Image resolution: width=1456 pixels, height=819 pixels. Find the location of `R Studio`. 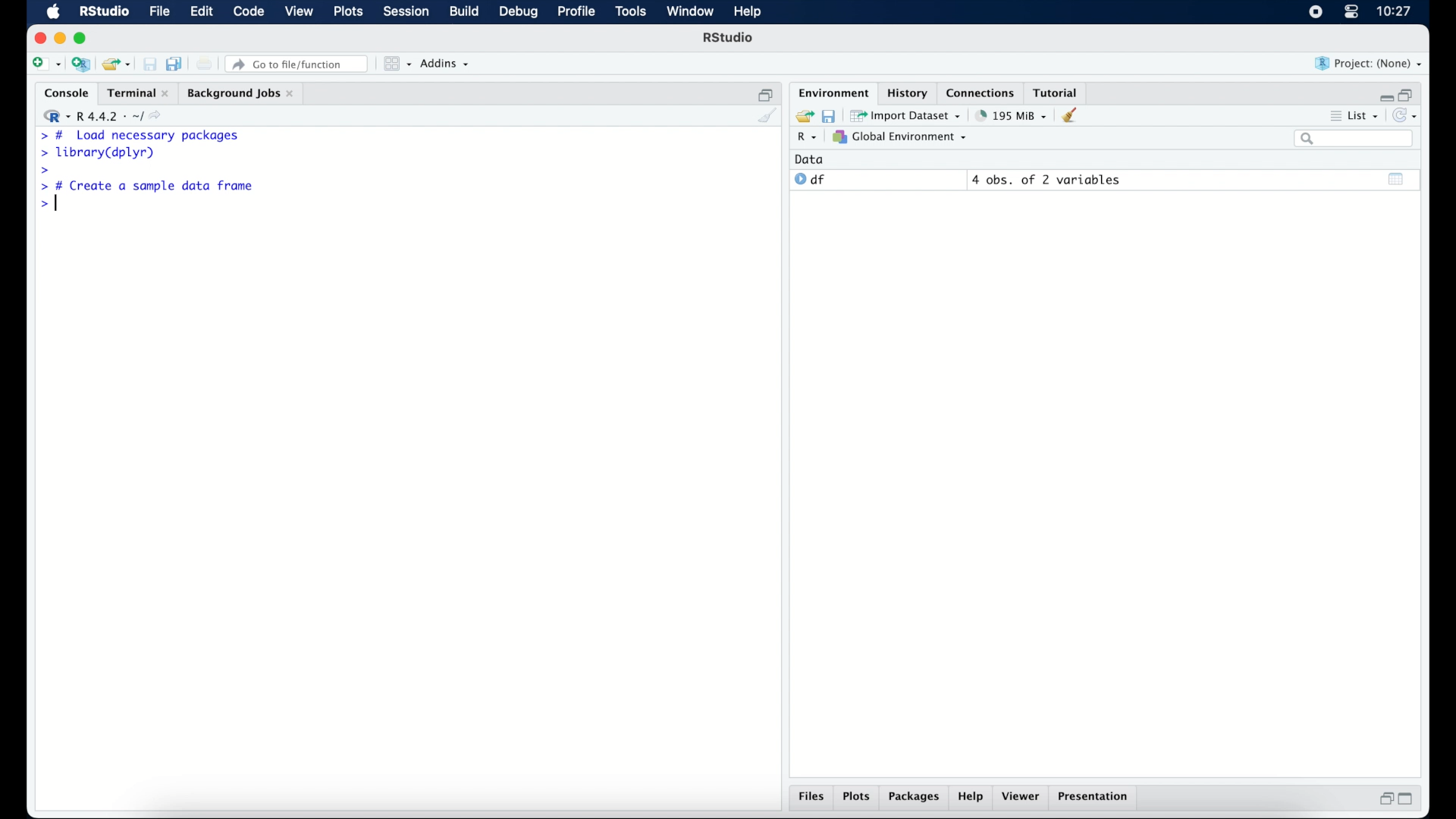

R Studio is located at coordinates (730, 39).